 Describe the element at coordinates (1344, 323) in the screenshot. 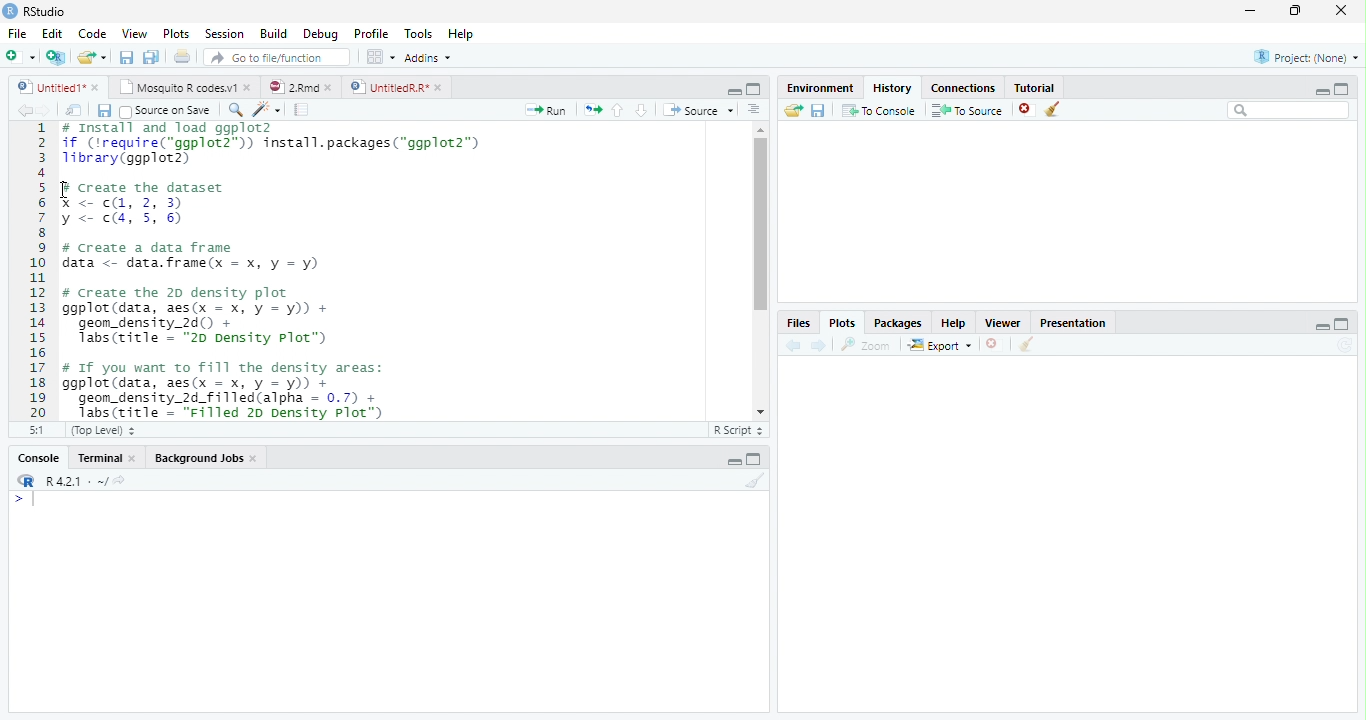

I see `maximize` at that location.